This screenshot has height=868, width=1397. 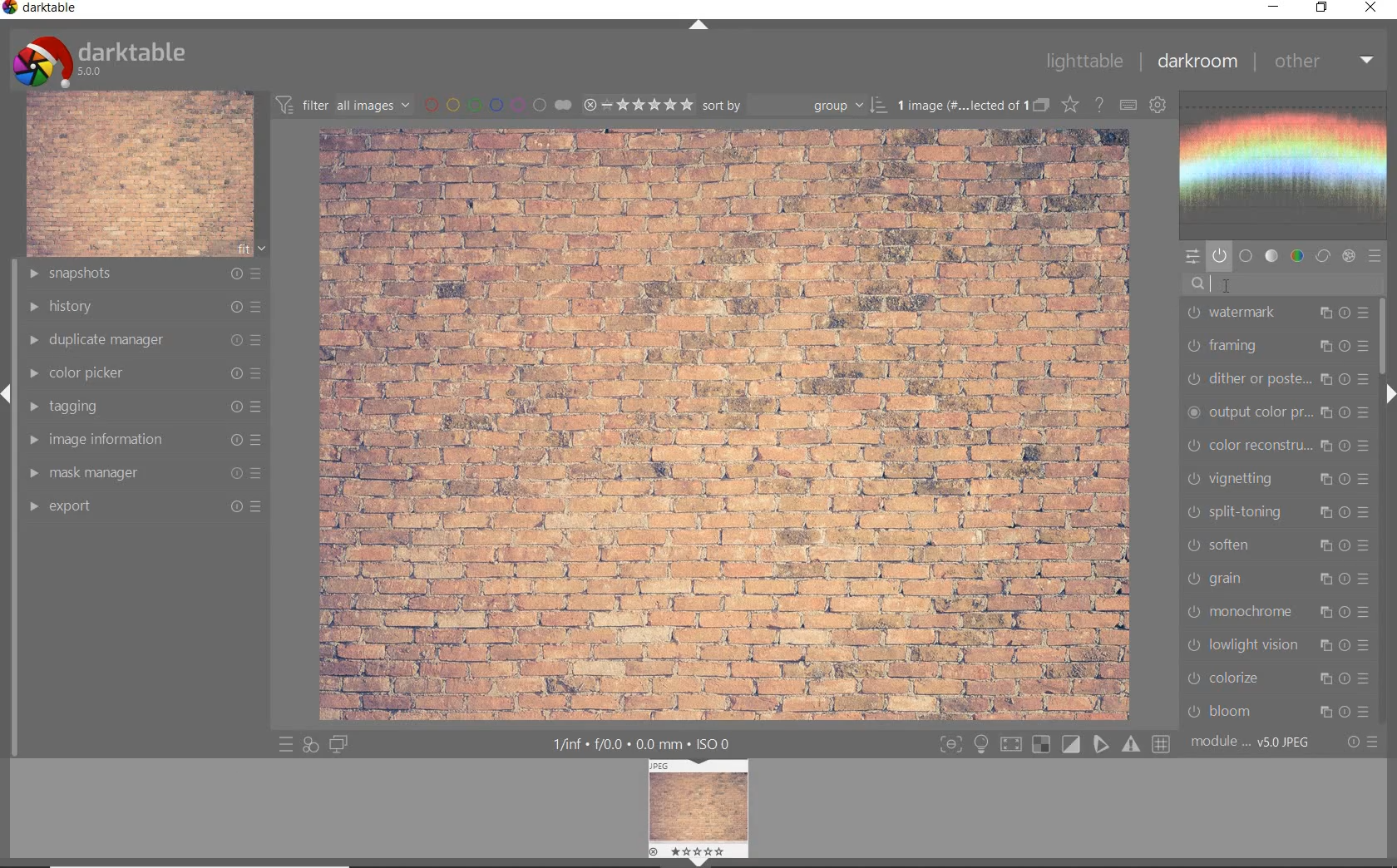 I want to click on change type of overlay, so click(x=1069, y=104).